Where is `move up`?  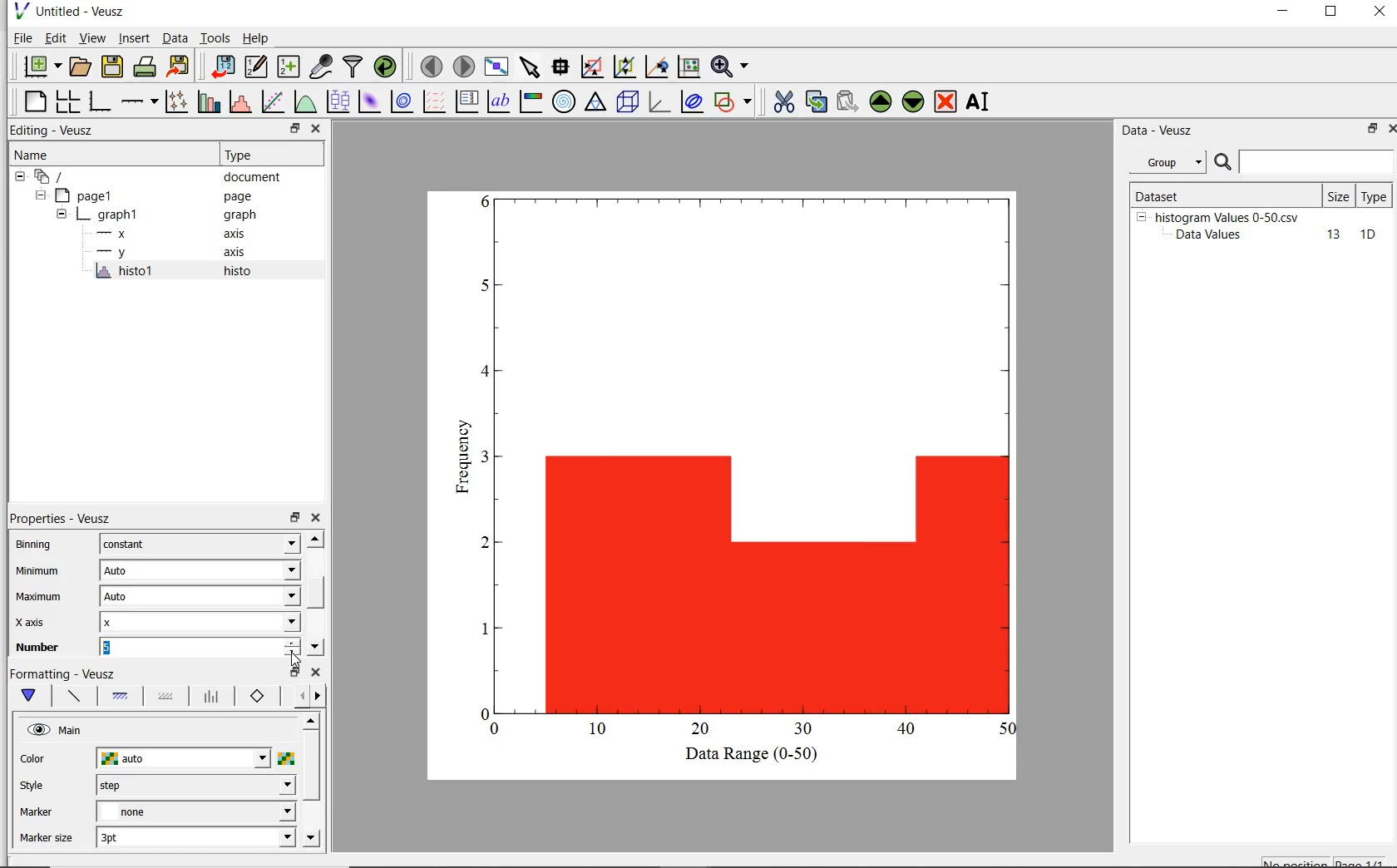 move up is located at coordinates (310, 720).